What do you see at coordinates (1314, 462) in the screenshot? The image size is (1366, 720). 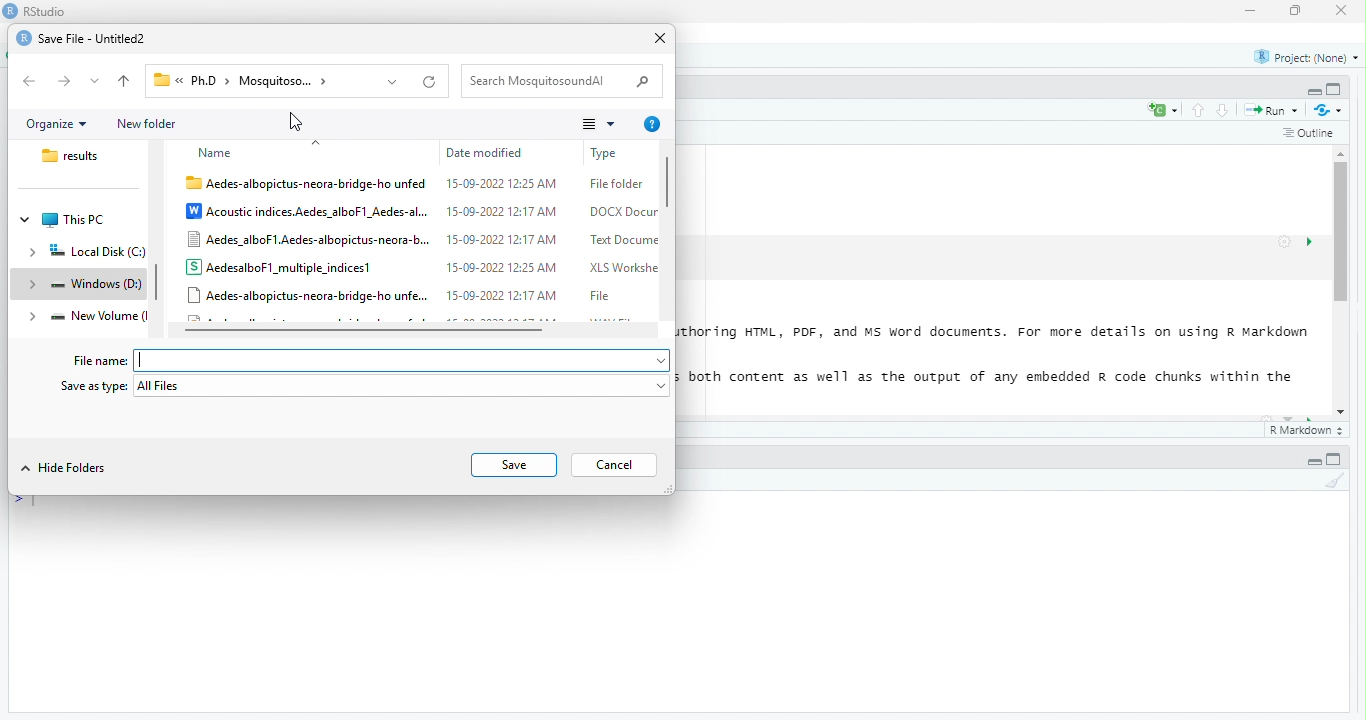 I see `Collapse` at bounding box center [1314, 462].